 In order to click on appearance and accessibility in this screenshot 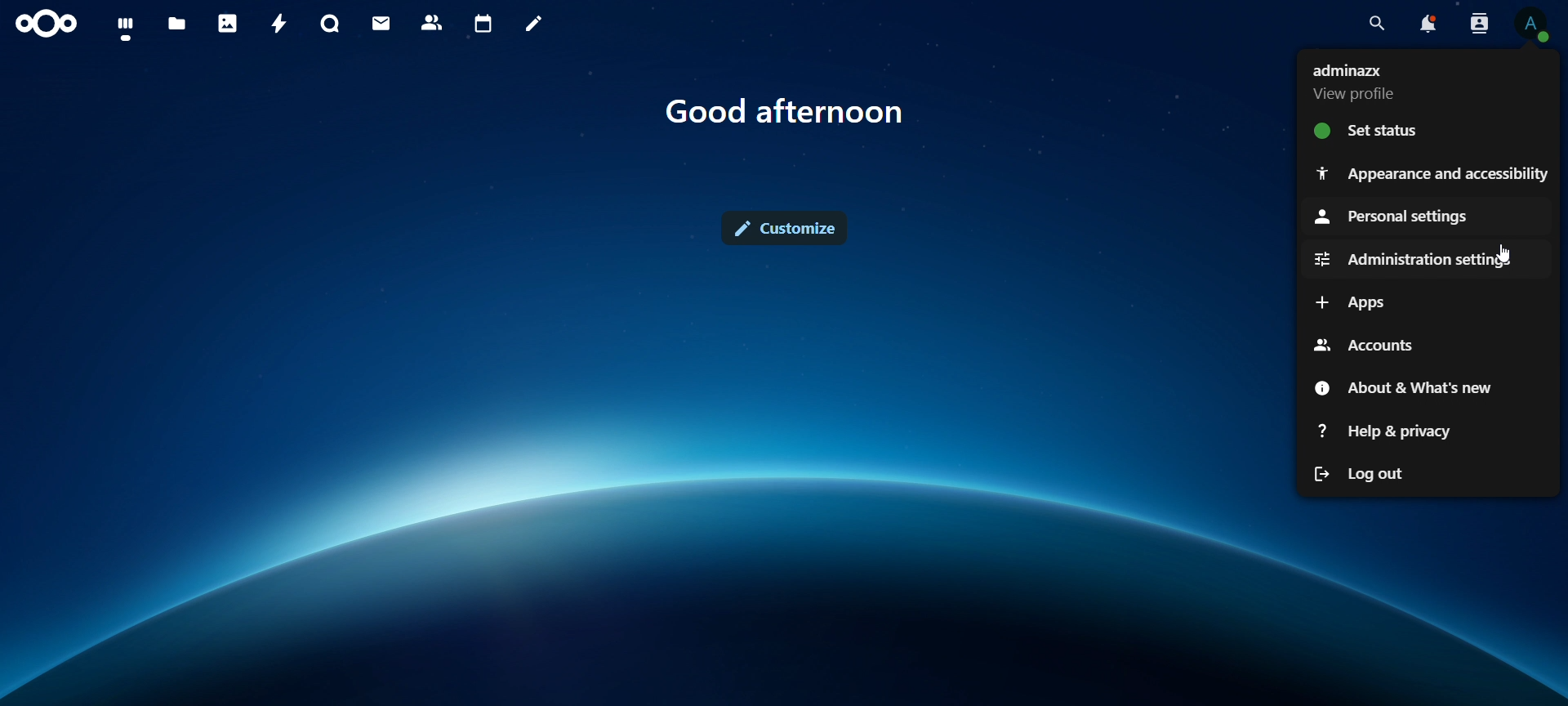, I will do `click(1432, 173)`.